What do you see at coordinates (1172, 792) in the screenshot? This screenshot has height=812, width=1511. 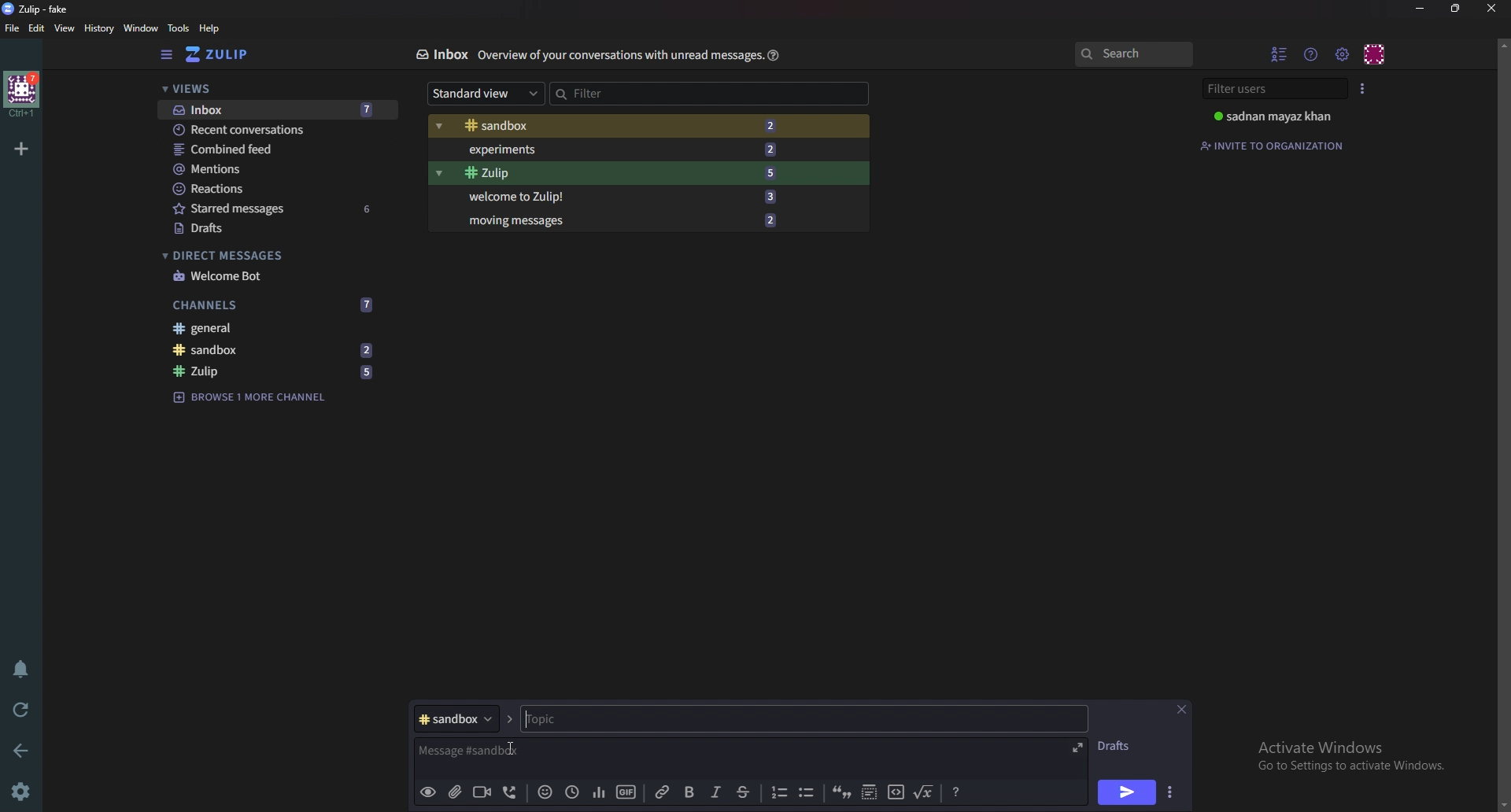 I see `Send options` at bounding box center [1172, 792].